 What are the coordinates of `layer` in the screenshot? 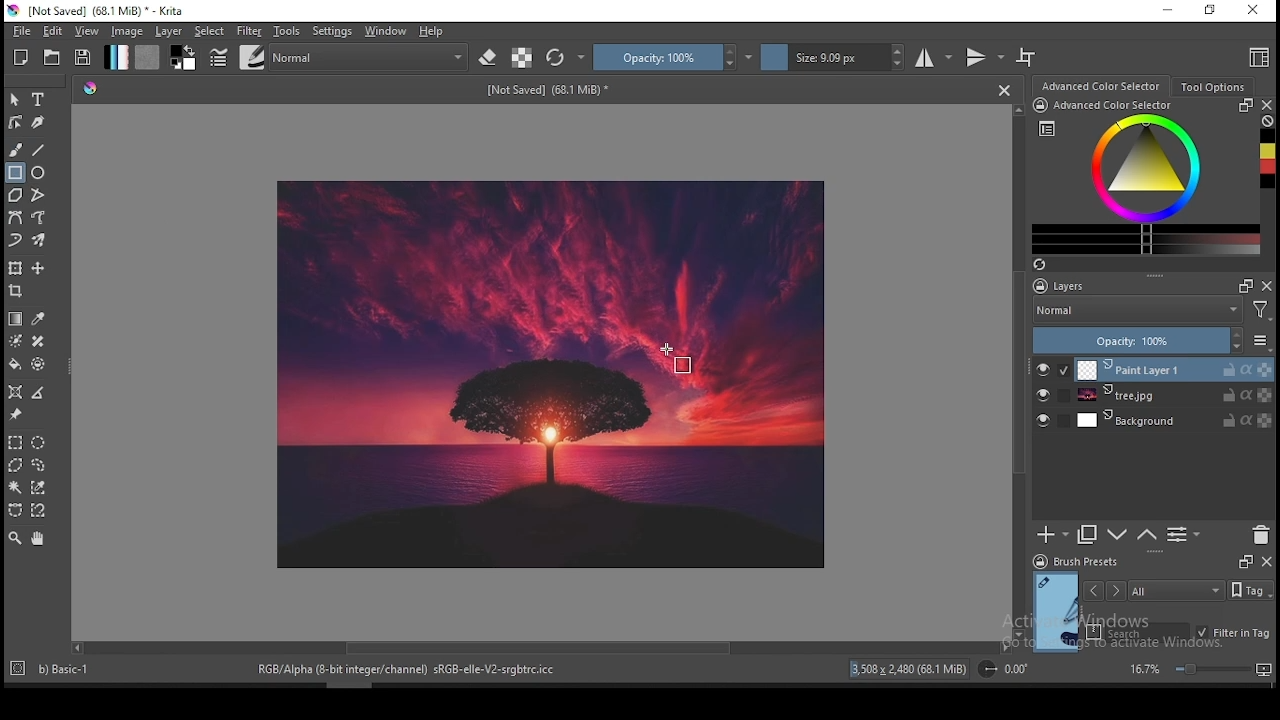 It's located at (1174, 369).